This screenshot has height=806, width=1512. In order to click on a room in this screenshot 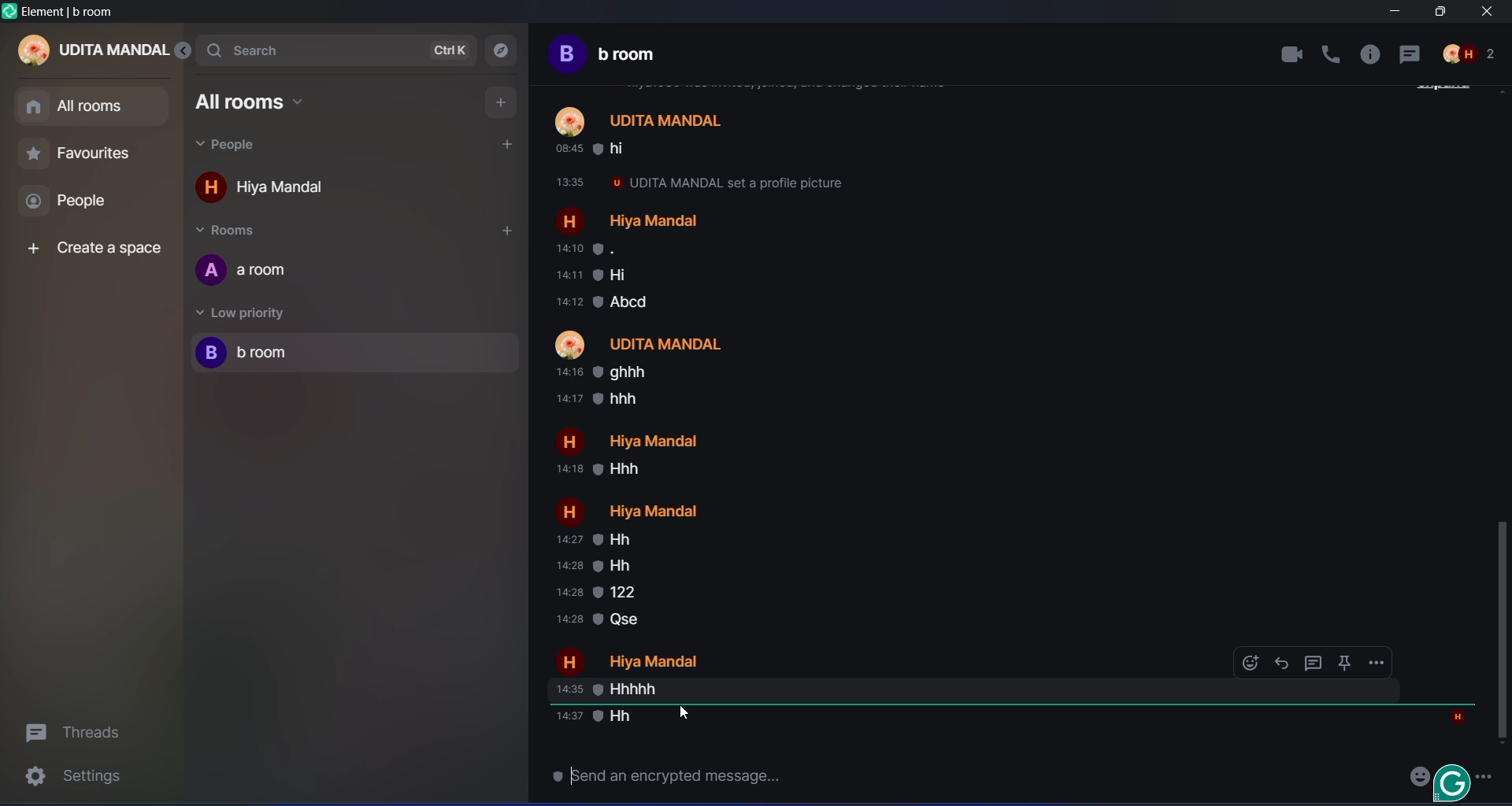, I will do `click(358, 273)`.